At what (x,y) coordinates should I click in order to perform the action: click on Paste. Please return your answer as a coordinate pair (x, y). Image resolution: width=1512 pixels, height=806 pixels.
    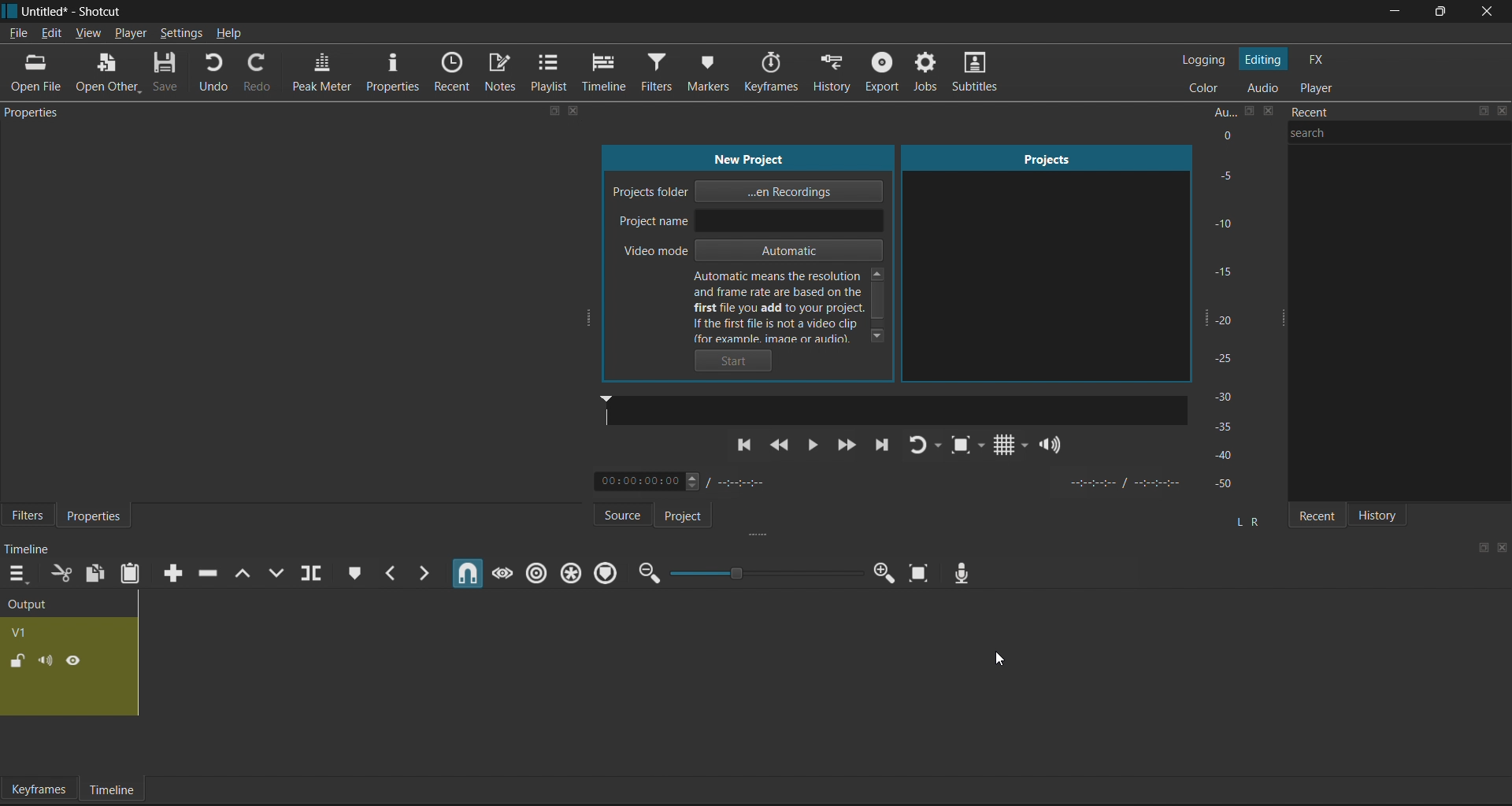
    Looking at the image, I should click on (133, 575).